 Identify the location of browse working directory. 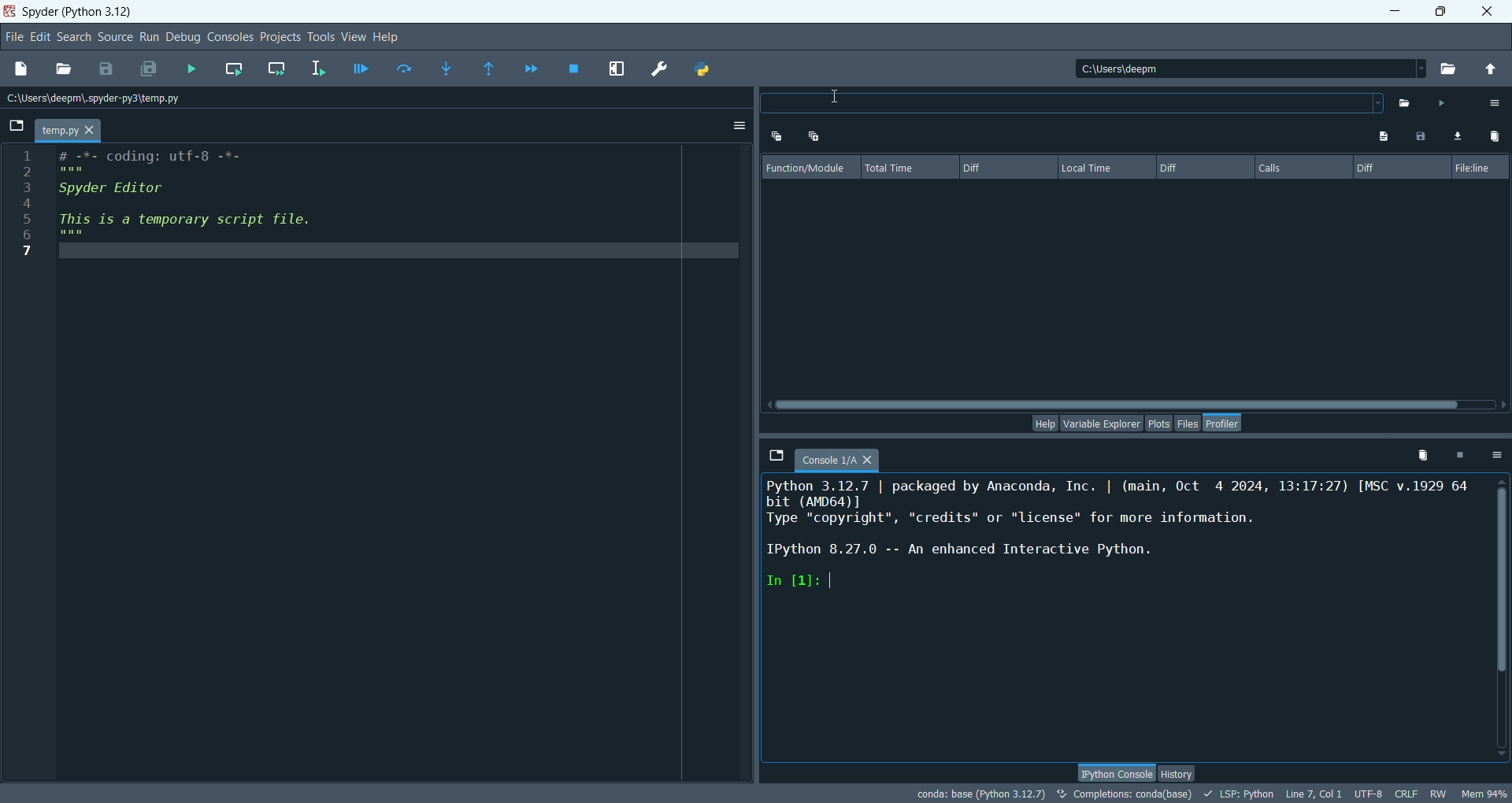
(1452, 68).